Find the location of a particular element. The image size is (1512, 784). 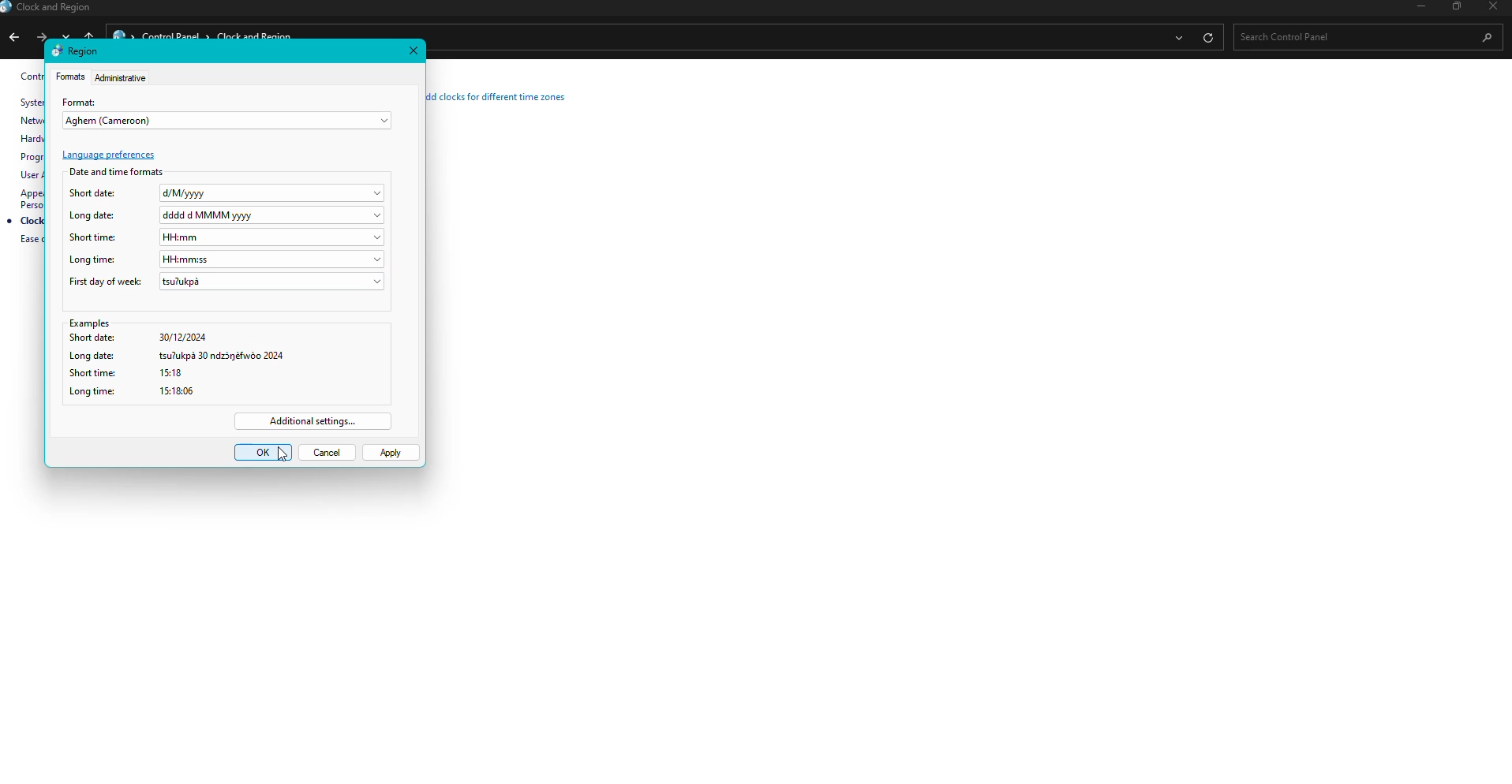

Long date is located at coordinates (227, 215).